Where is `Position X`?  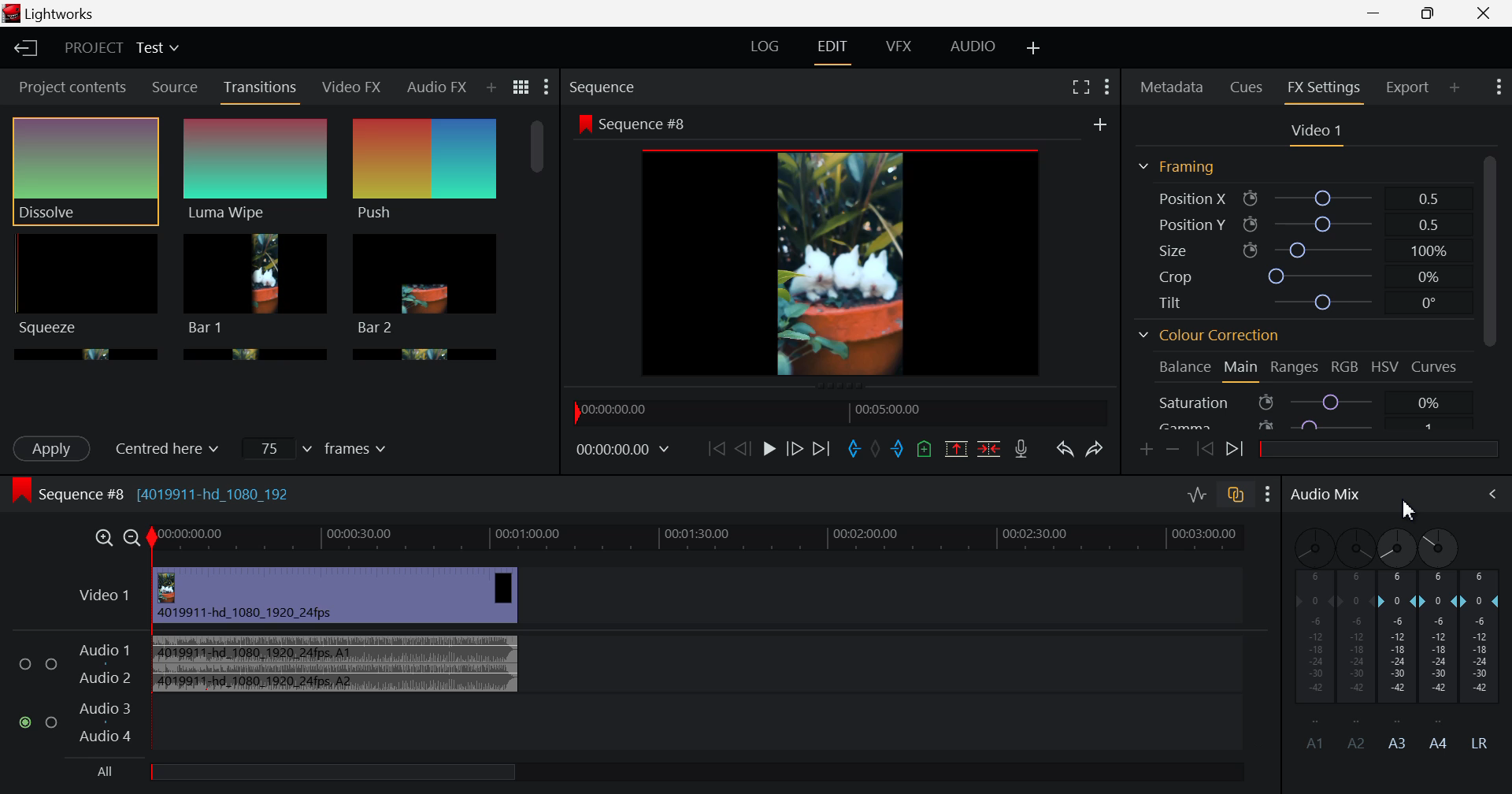
Position X is located at coordinates (1301, 198).